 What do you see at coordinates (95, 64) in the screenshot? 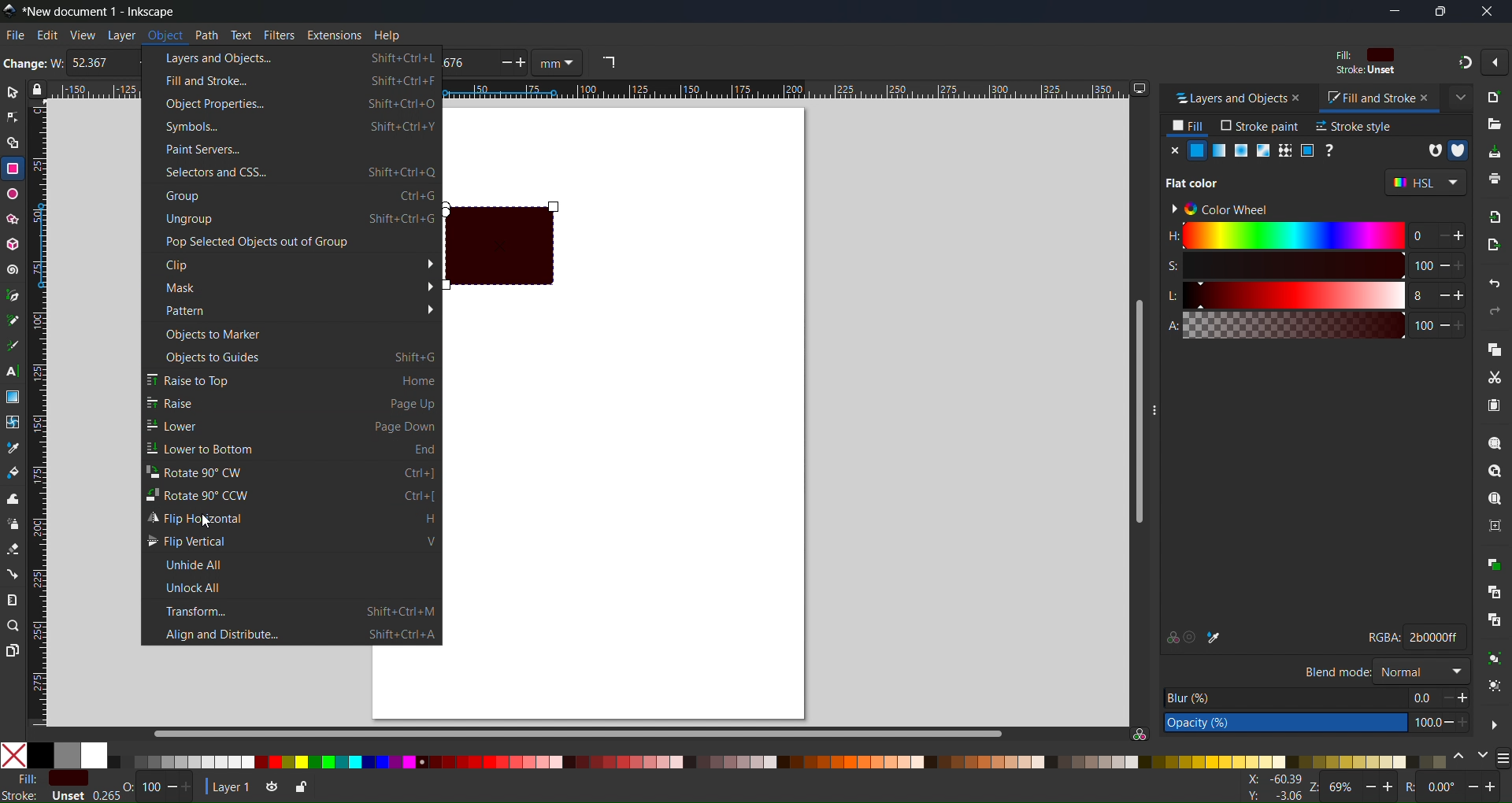
I see `Width of the rectangle 52.367` at bounding box center [95, 64].